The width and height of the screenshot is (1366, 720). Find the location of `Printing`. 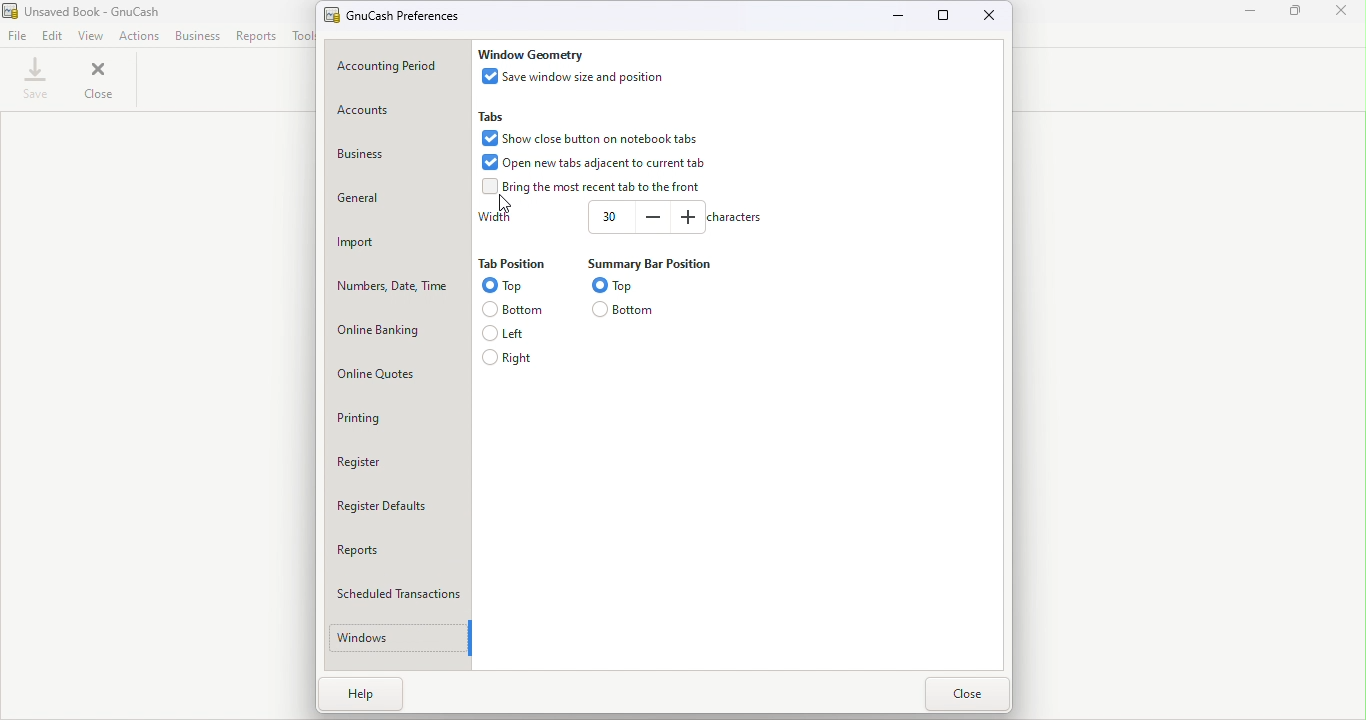

Printing is located at coordinates (399, 417).